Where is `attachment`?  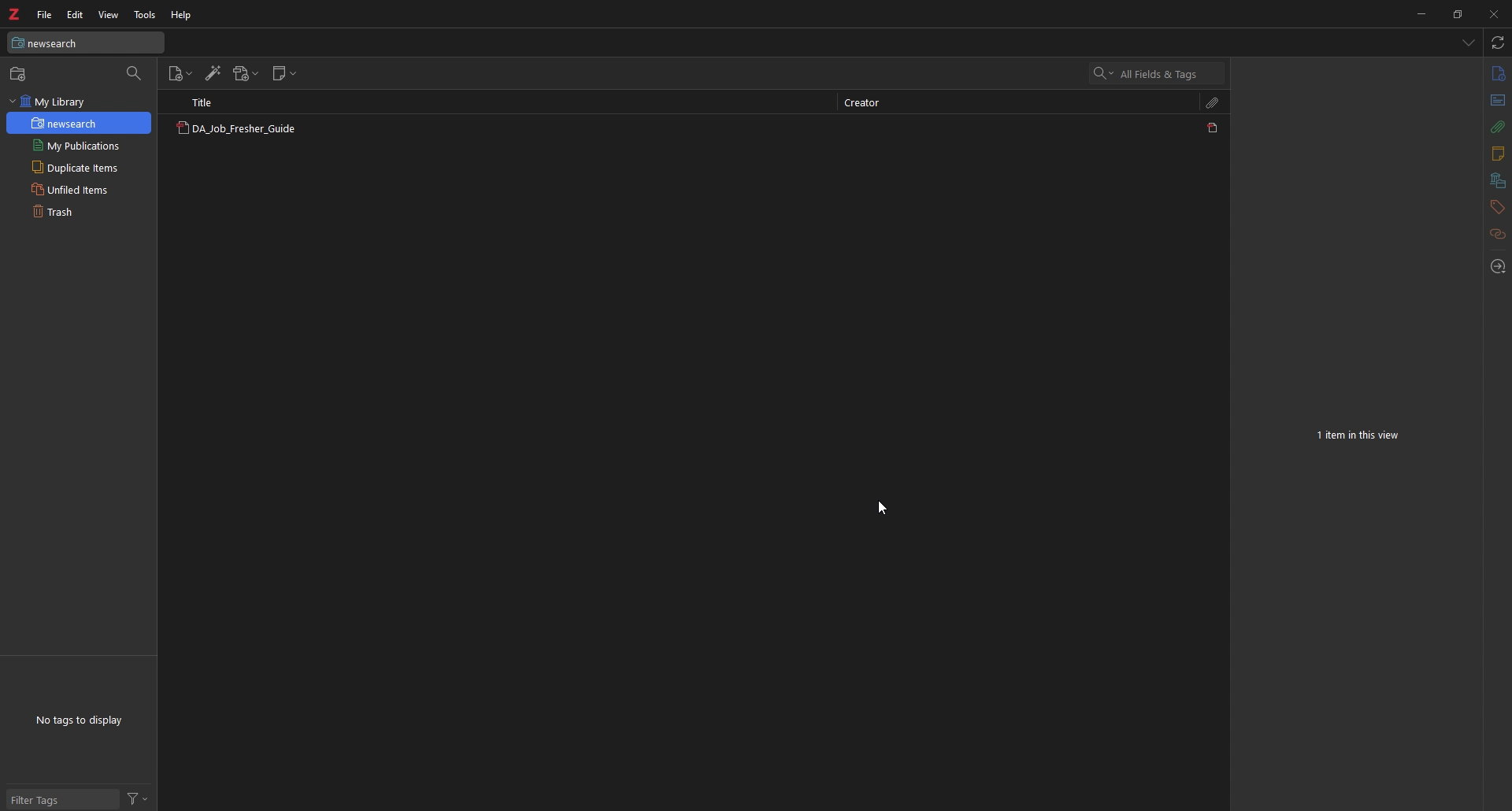
attachment is located at coordinates (1499, 127).